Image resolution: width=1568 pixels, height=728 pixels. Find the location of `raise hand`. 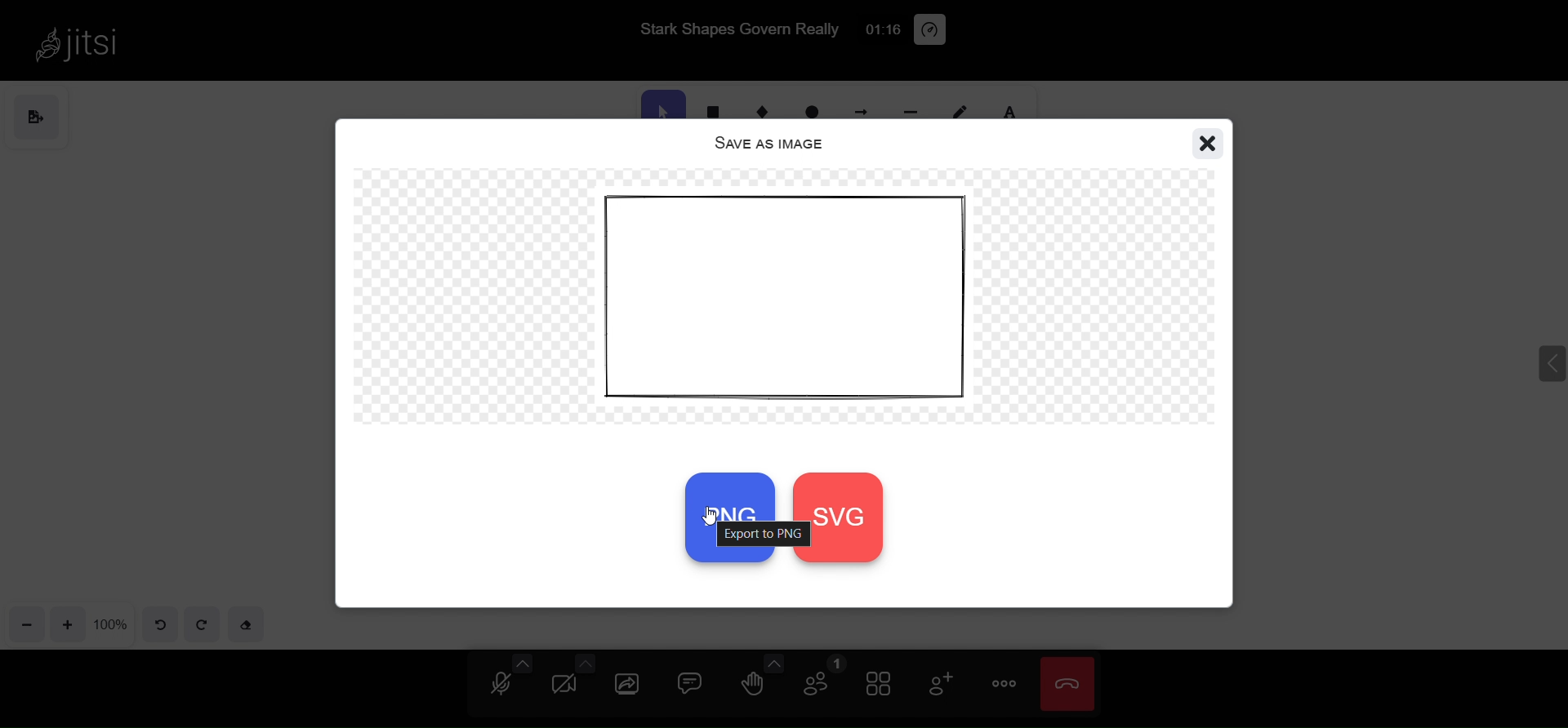

raise hand is located at coordinates (751, 687).